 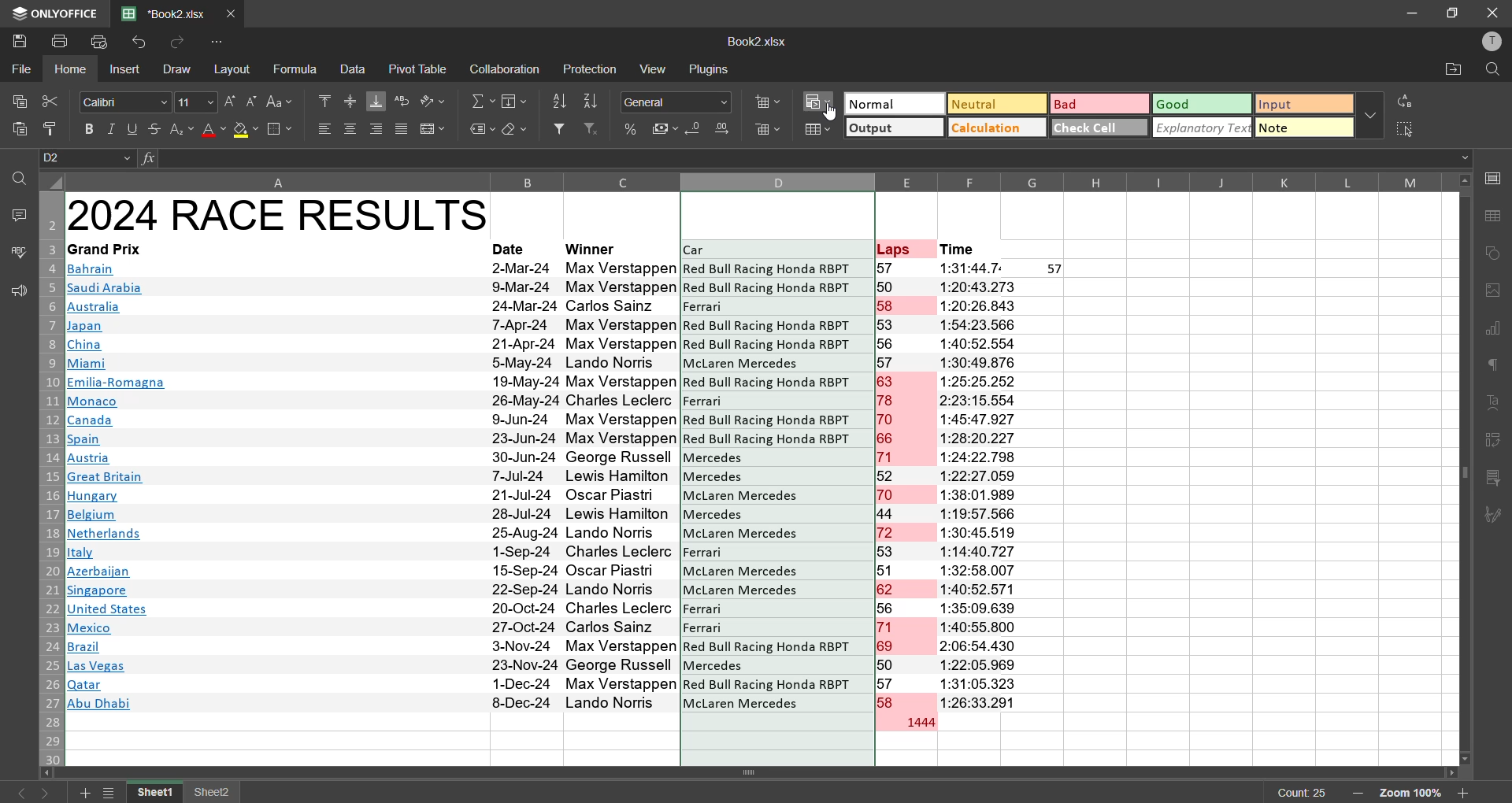 What do you see at coordinates (157, 793) in the screenshot?
I see `sheet  name` at bounding box center [157, 793].